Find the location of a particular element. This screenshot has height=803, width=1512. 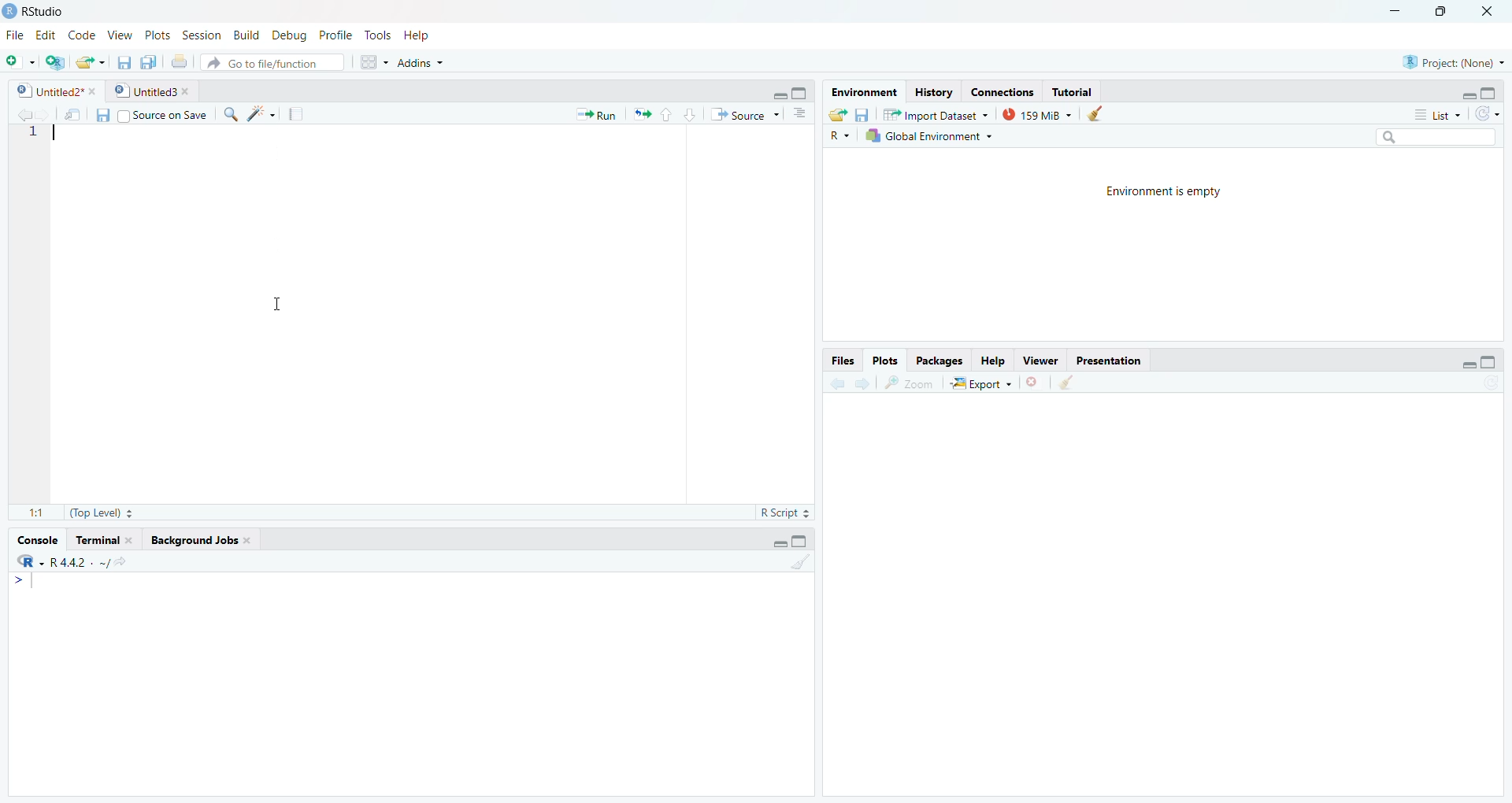

previous is located at coordinates (836, 385).